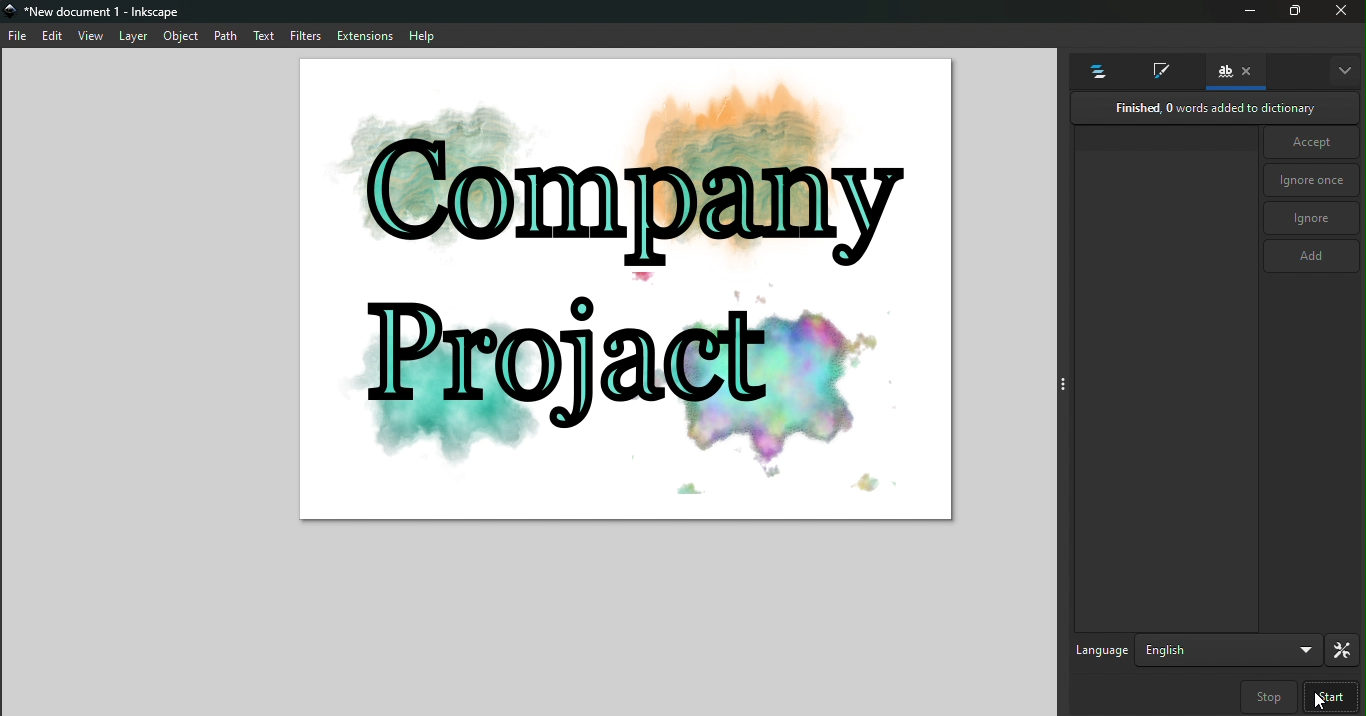 Image resolution: width=1366 pixels, height=716 pixels. I want to click on More options, so click(1341, 70).